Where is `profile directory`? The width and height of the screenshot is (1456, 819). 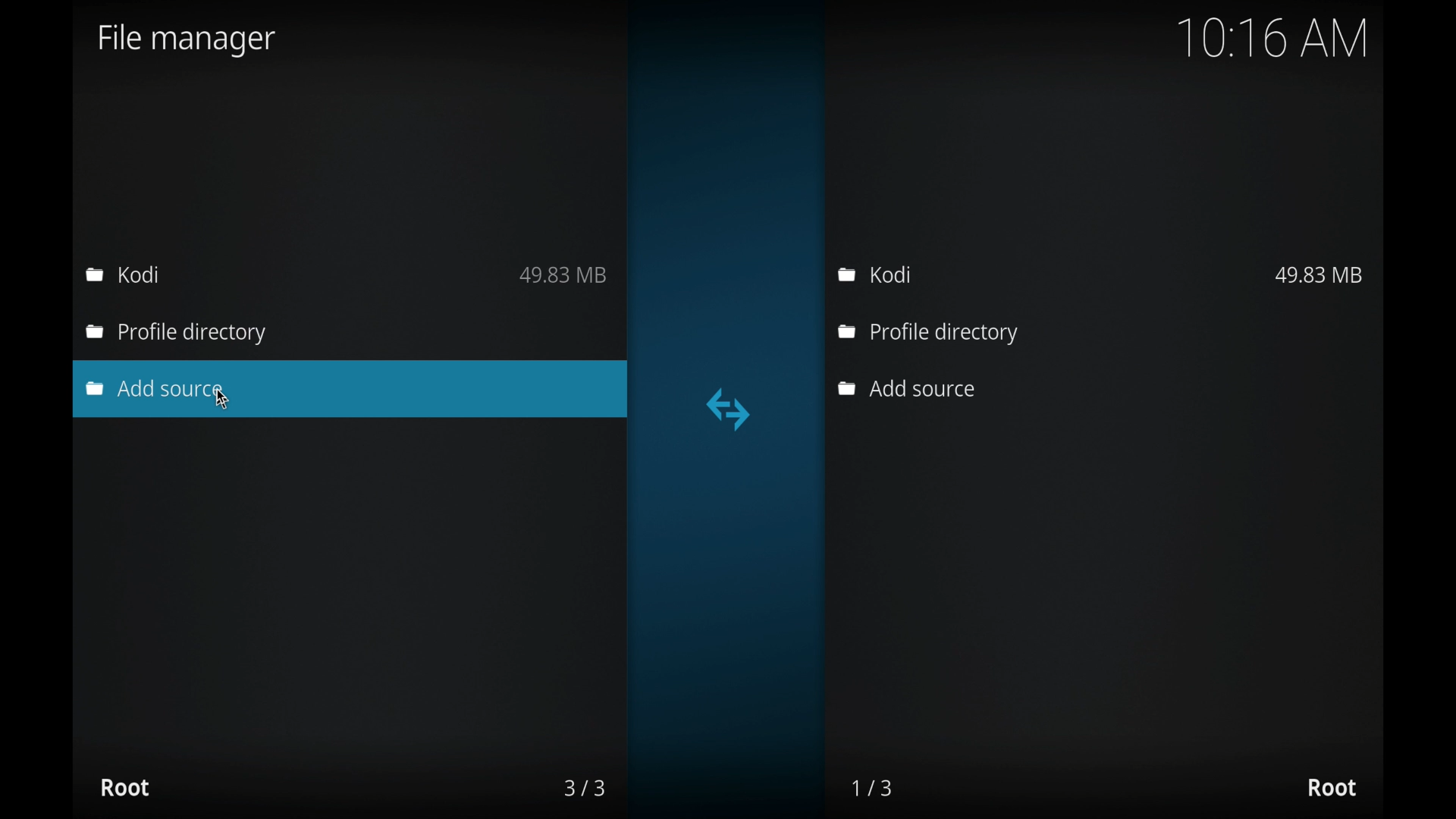 profile directory is located at coordinates (928, 334).